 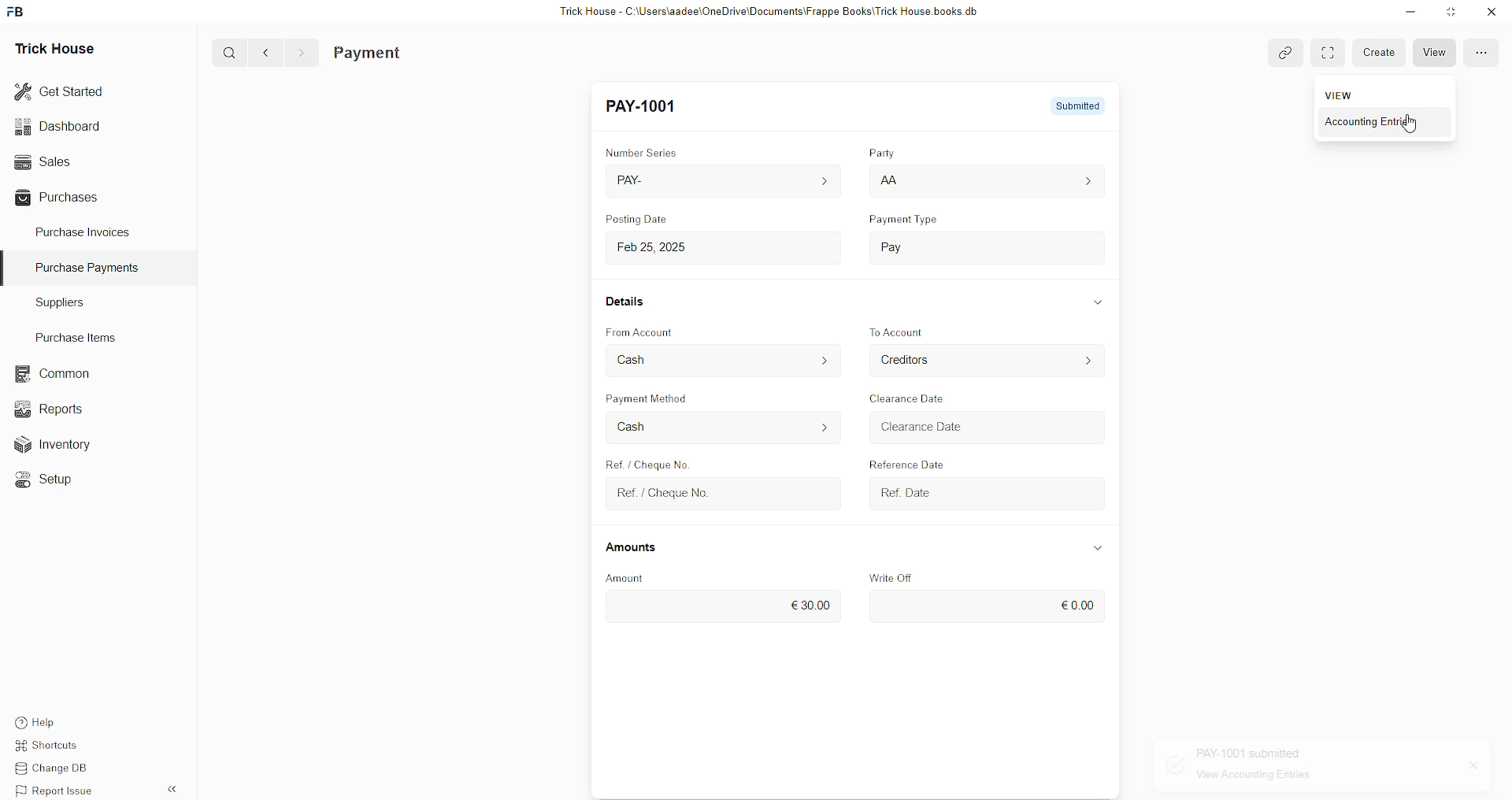 I want to click on €30.00, so click(x=814, y=602).